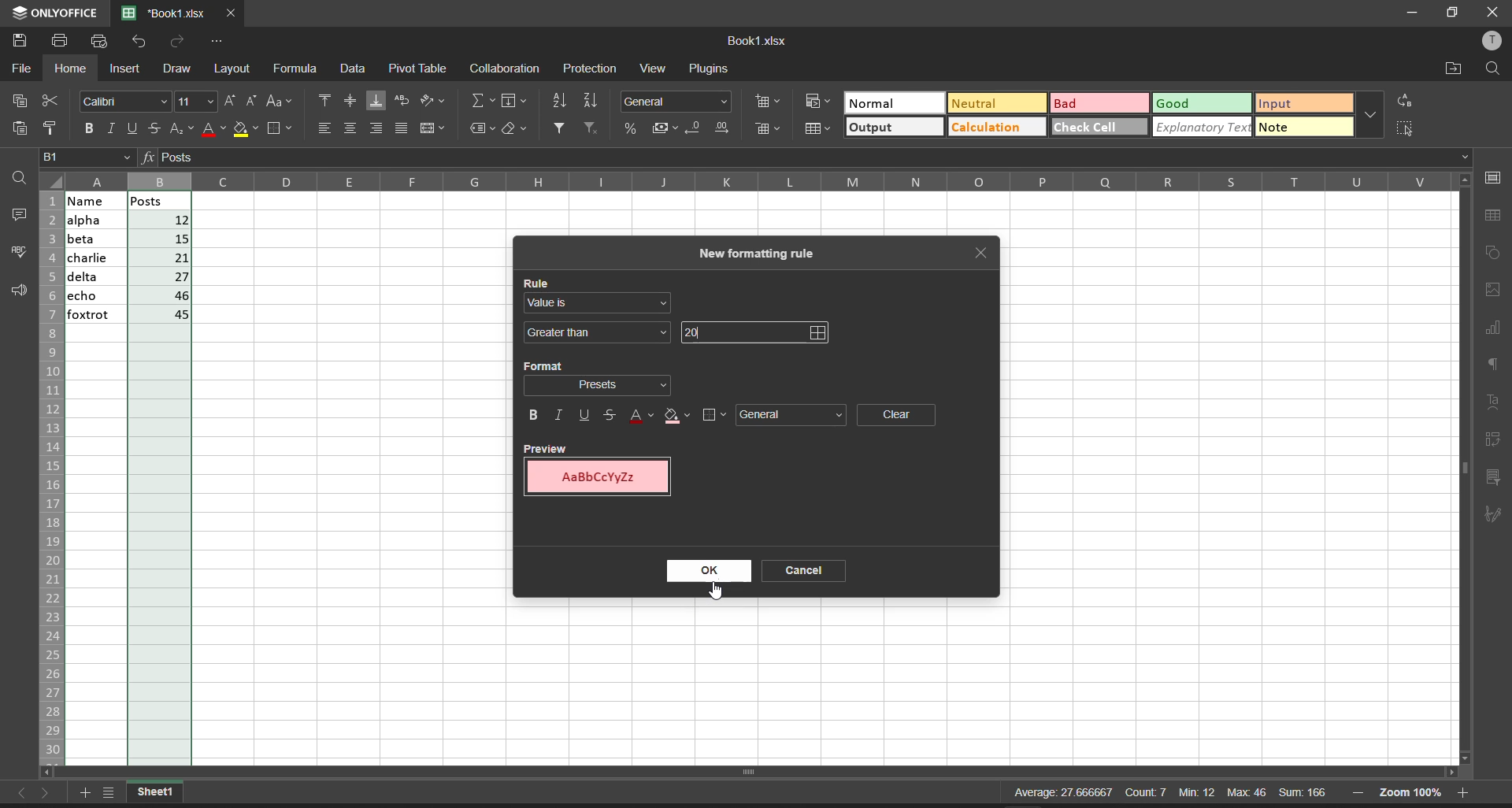  Describe the element at coordinates (88, 157) in the screenshot. I see `cell address` at that location.